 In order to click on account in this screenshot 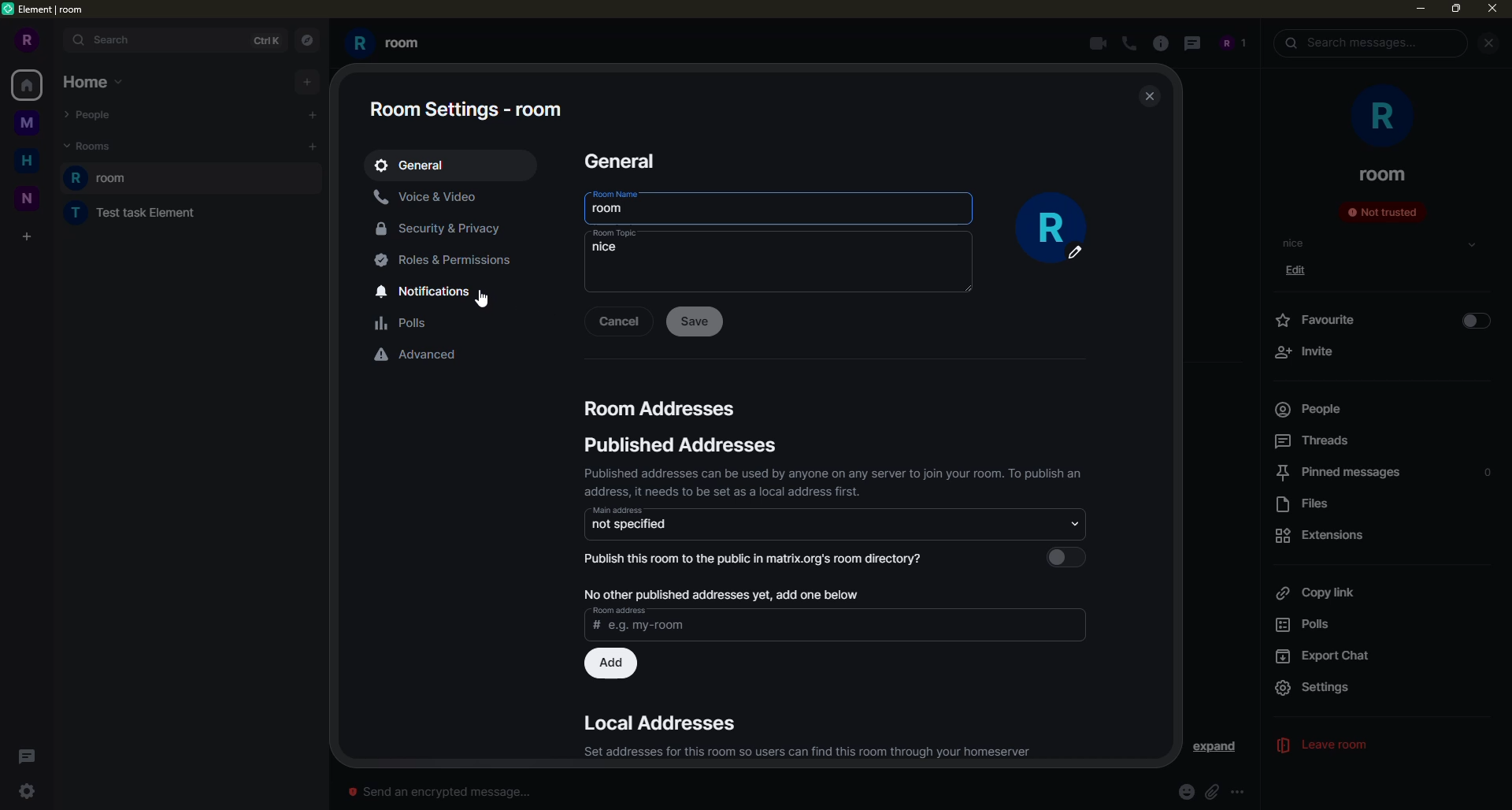, I will do `click(1232, 43)`.